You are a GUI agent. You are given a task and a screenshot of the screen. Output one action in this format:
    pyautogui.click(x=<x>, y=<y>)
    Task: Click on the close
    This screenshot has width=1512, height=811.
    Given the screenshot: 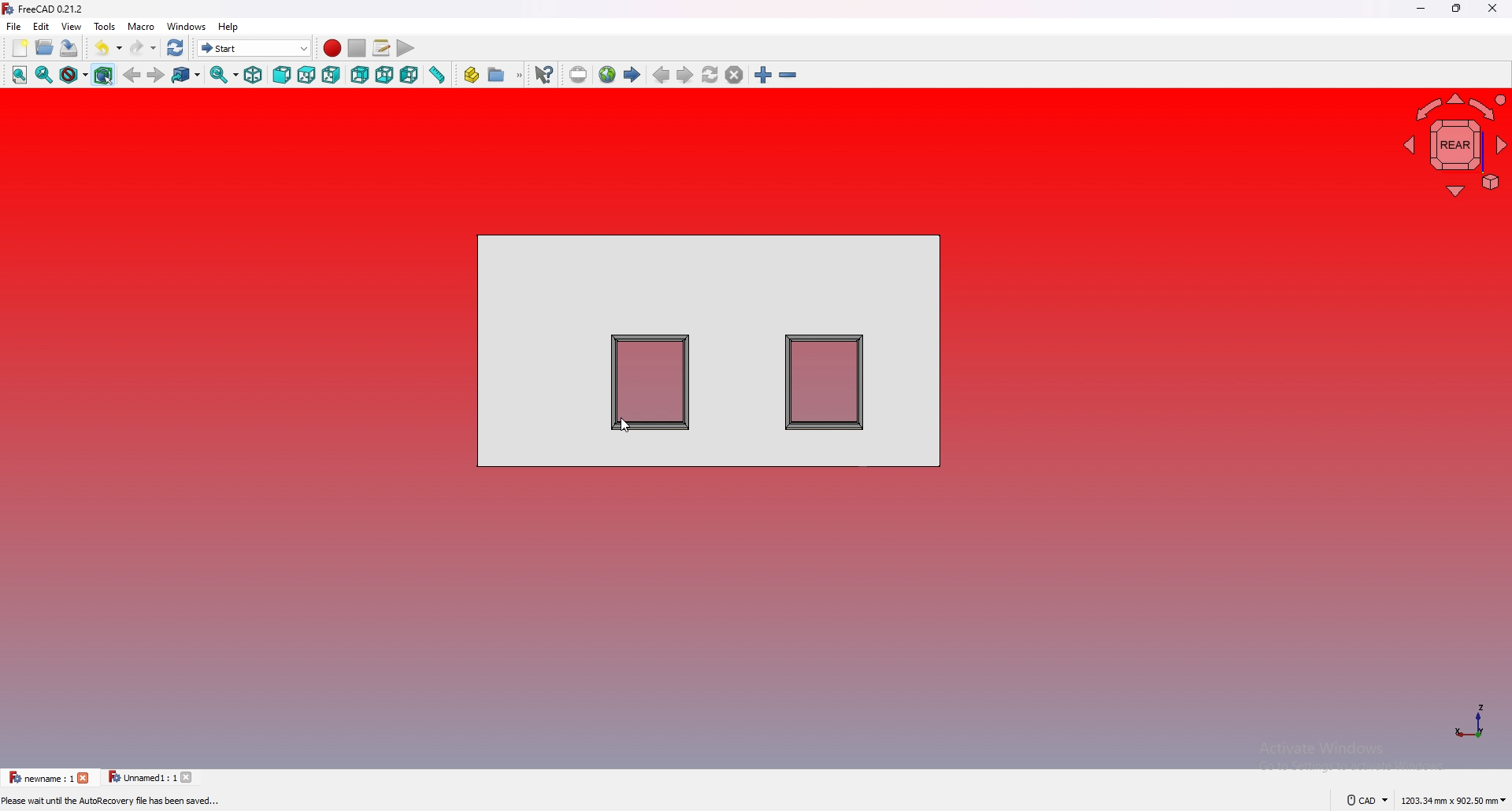 What is the action you would take?
    pyautogui.click(x=1492, y=8)
    